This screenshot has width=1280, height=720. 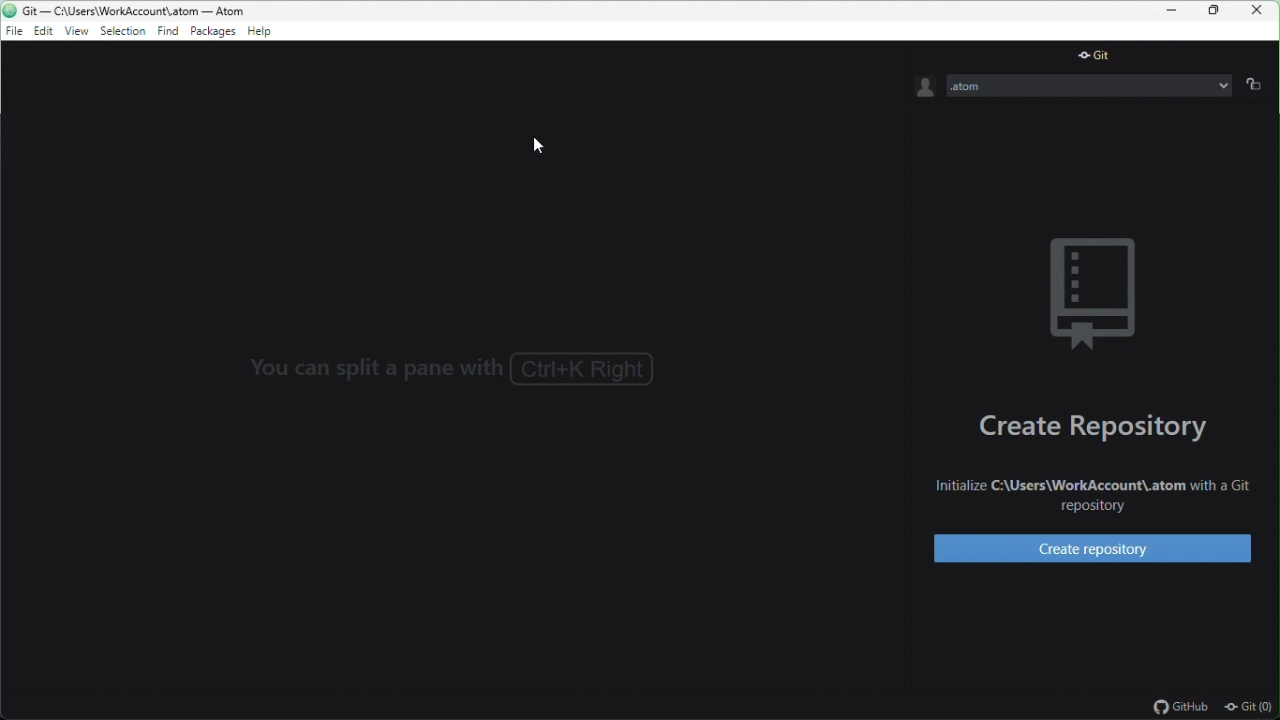 I want to click on package, so click(x=213, y=32).